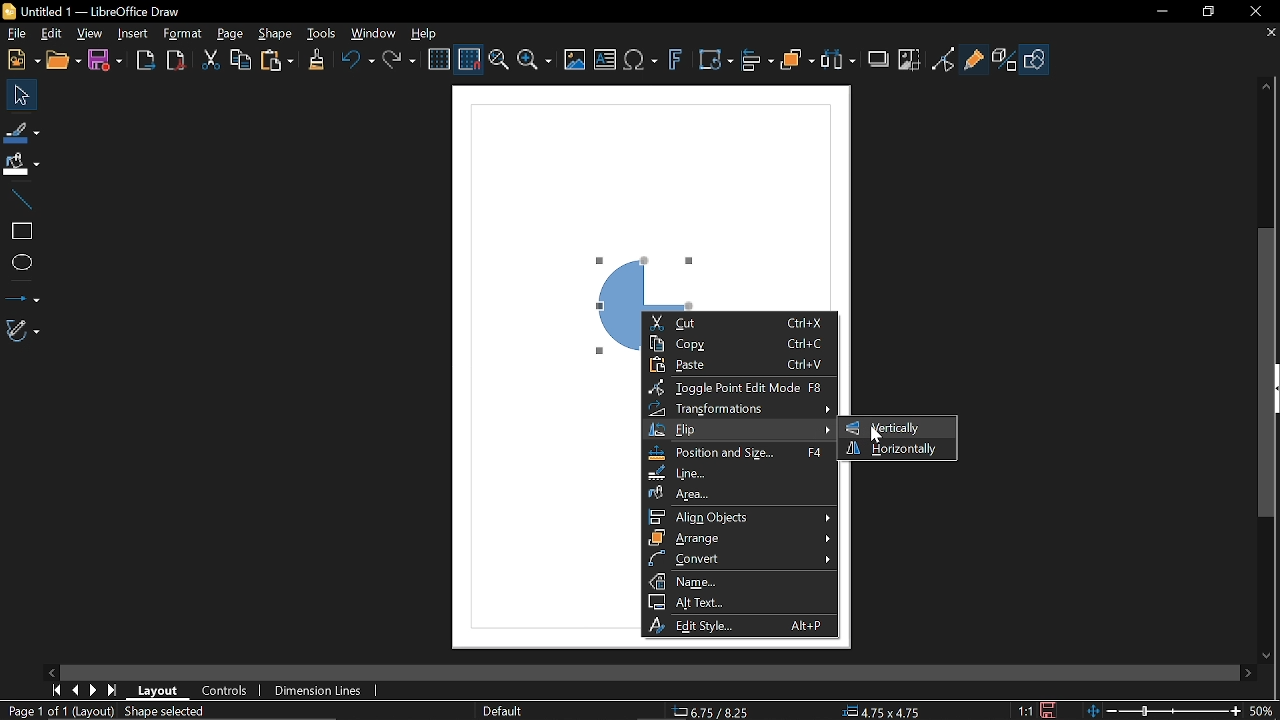 This screenshot has width=1280, height=720. Describe the element at coordinates (241, 59) in the screenshot. I see `Copy` at that location.